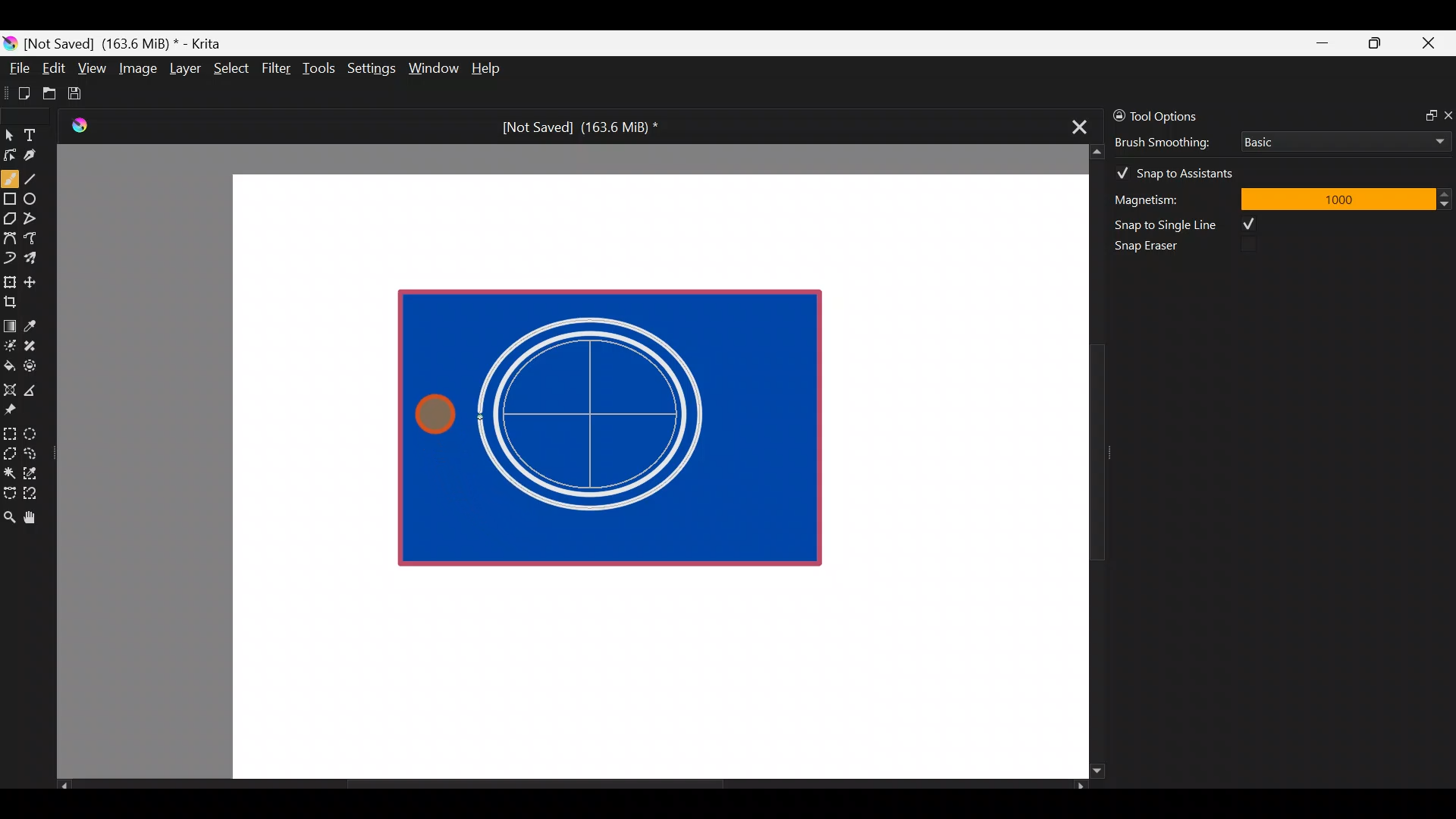 The width and height of the screenshot is (1456, 819). Describe the element at coordinates (572, 786) in the screenshot. I see `Scroll bar` at that location.